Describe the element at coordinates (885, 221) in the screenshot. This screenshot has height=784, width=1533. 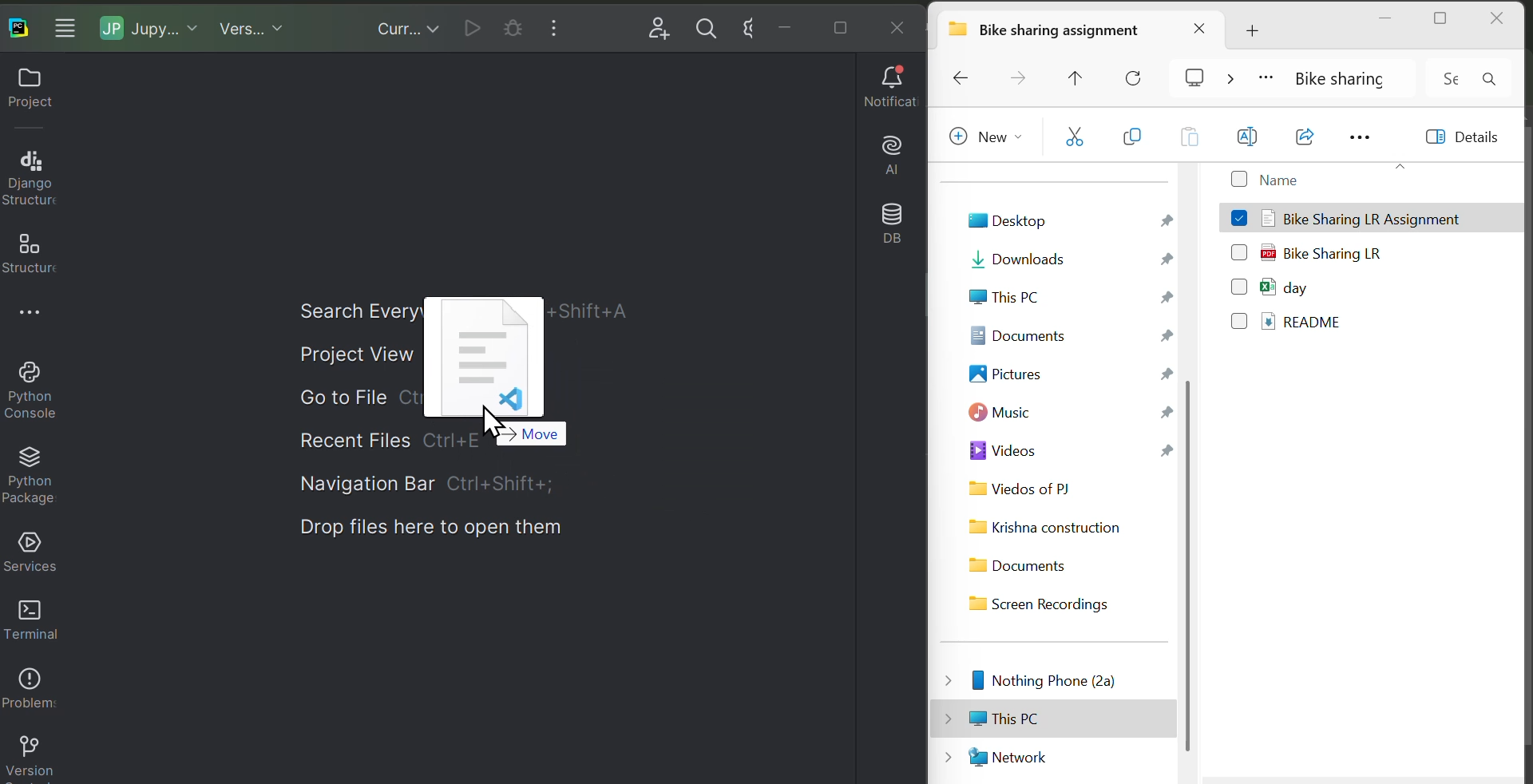
I see `Database` at that location.